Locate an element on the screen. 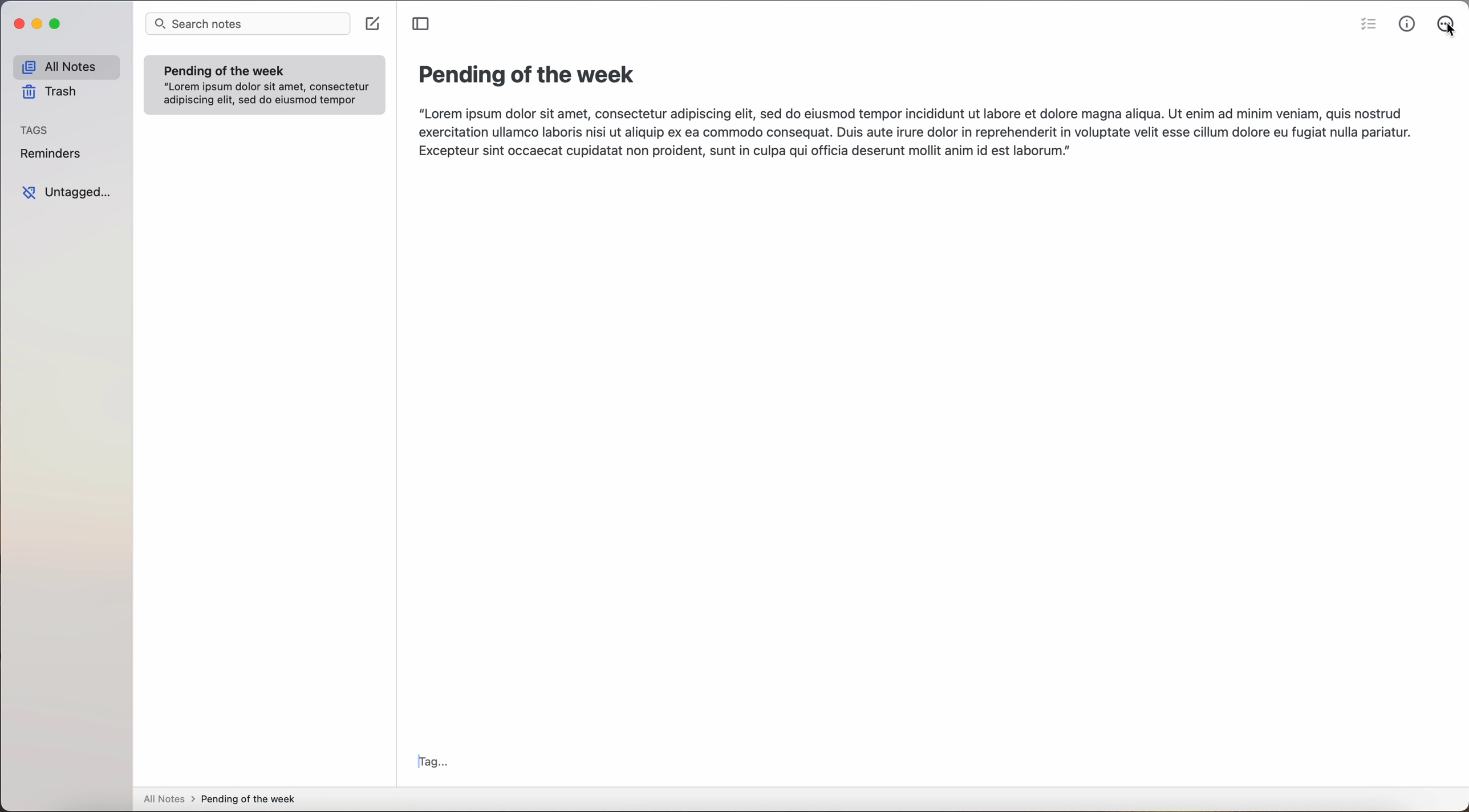 This screenshot has width=1469, height=812. close Simplenote is located at coordinates (17, 23).